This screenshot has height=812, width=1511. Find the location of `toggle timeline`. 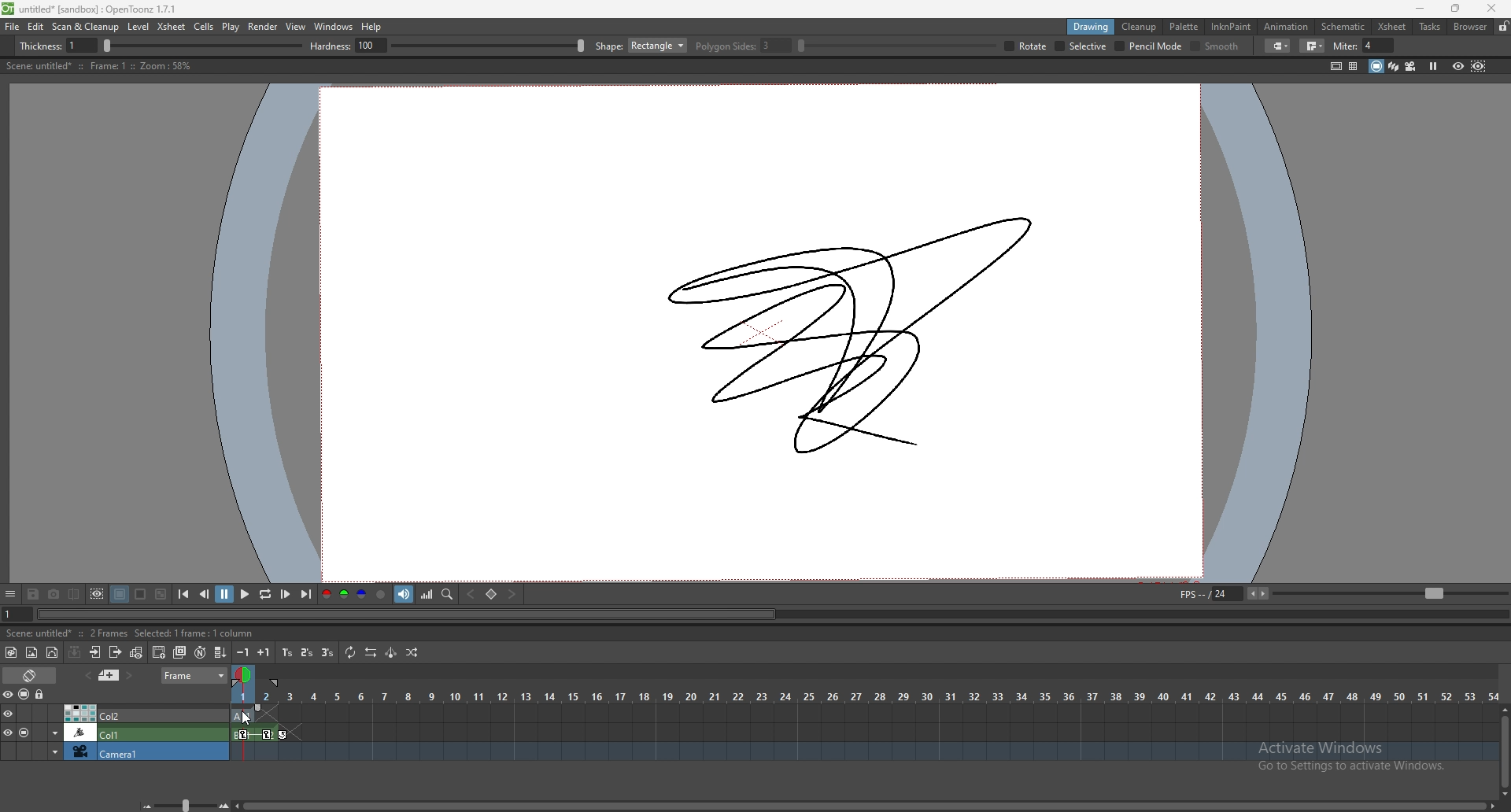

toggle timeline is located at coordinates (31, 674).